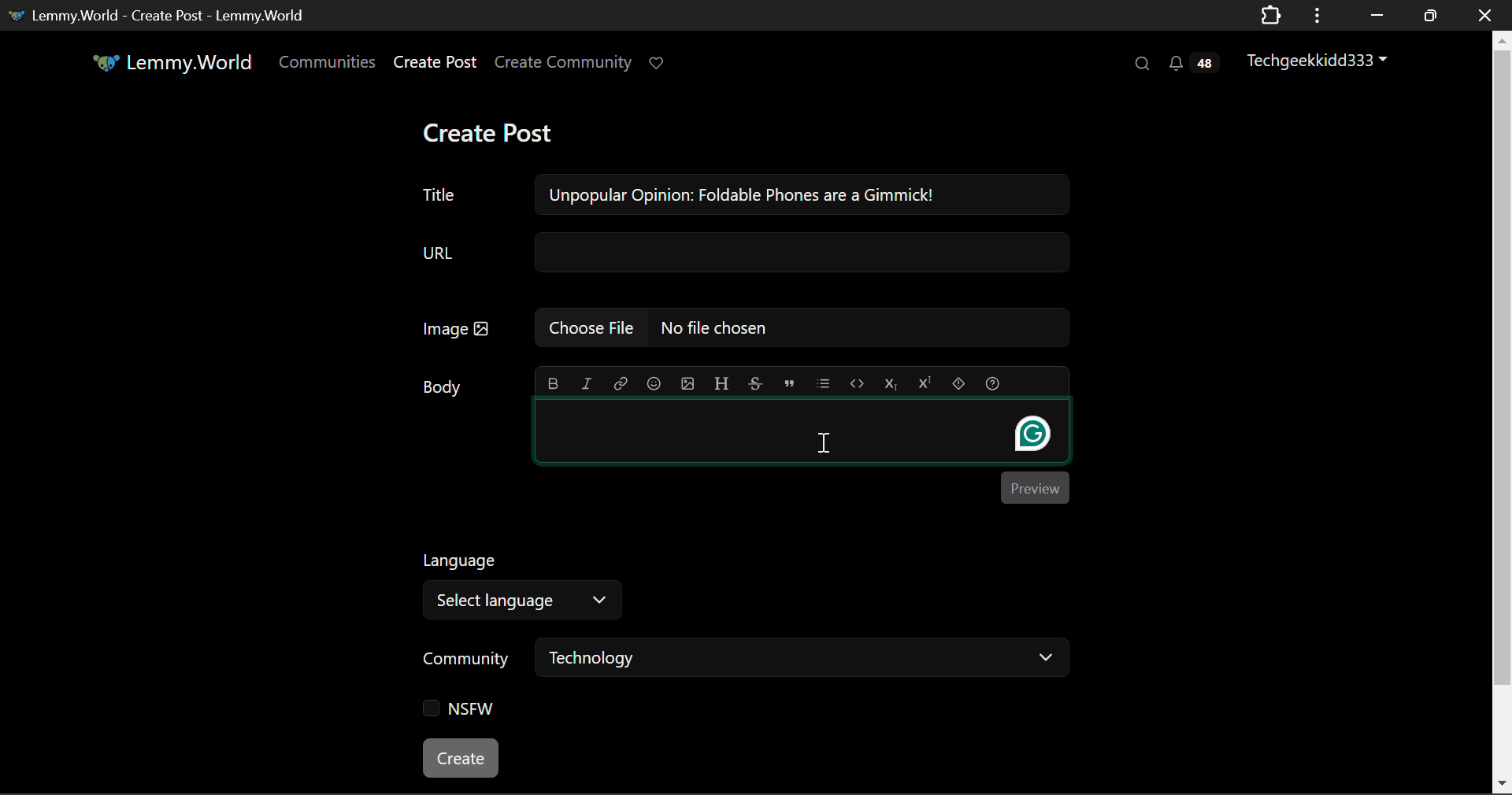 The height and width of the screenshot is (795, 1512). What do you see at coordinates (1374, 15) in the screenshot?
I see `Restore Down` at bounding box center [1374, 15].